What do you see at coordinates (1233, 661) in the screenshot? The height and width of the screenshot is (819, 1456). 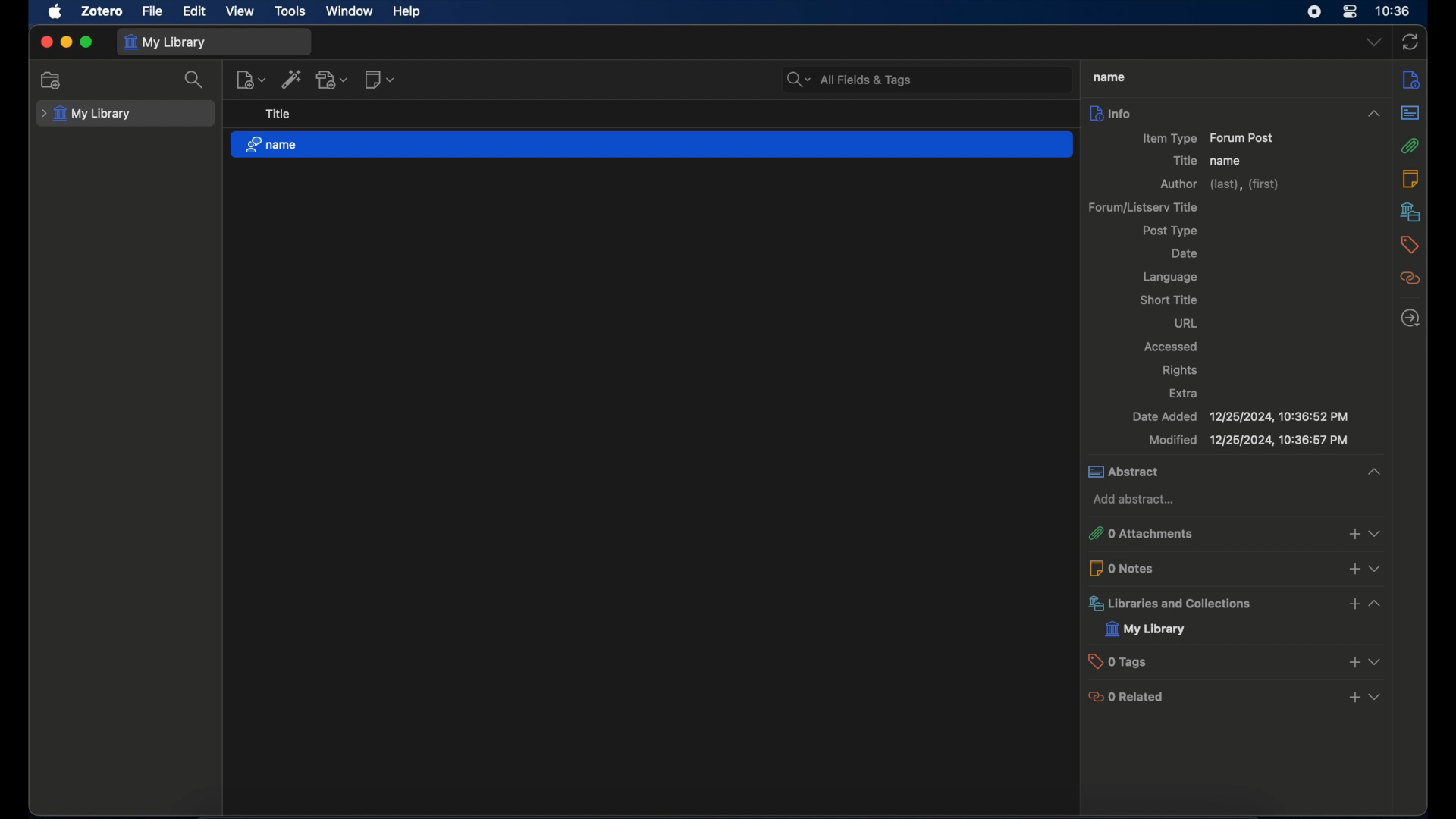 I see `0 tags` at bounding box center [1233, 661].